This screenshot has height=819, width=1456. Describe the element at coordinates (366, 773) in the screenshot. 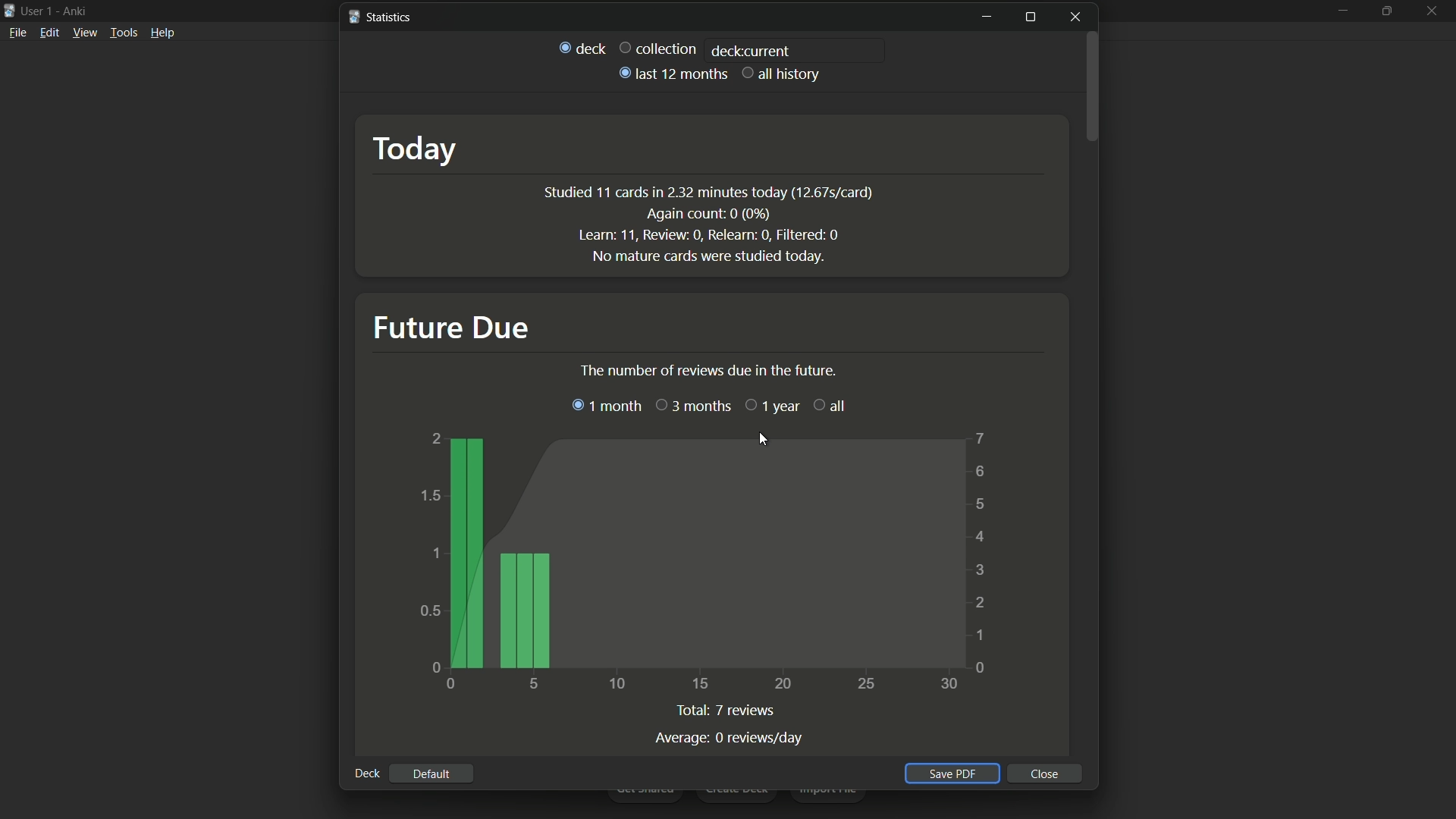

I see `deck` at that location.